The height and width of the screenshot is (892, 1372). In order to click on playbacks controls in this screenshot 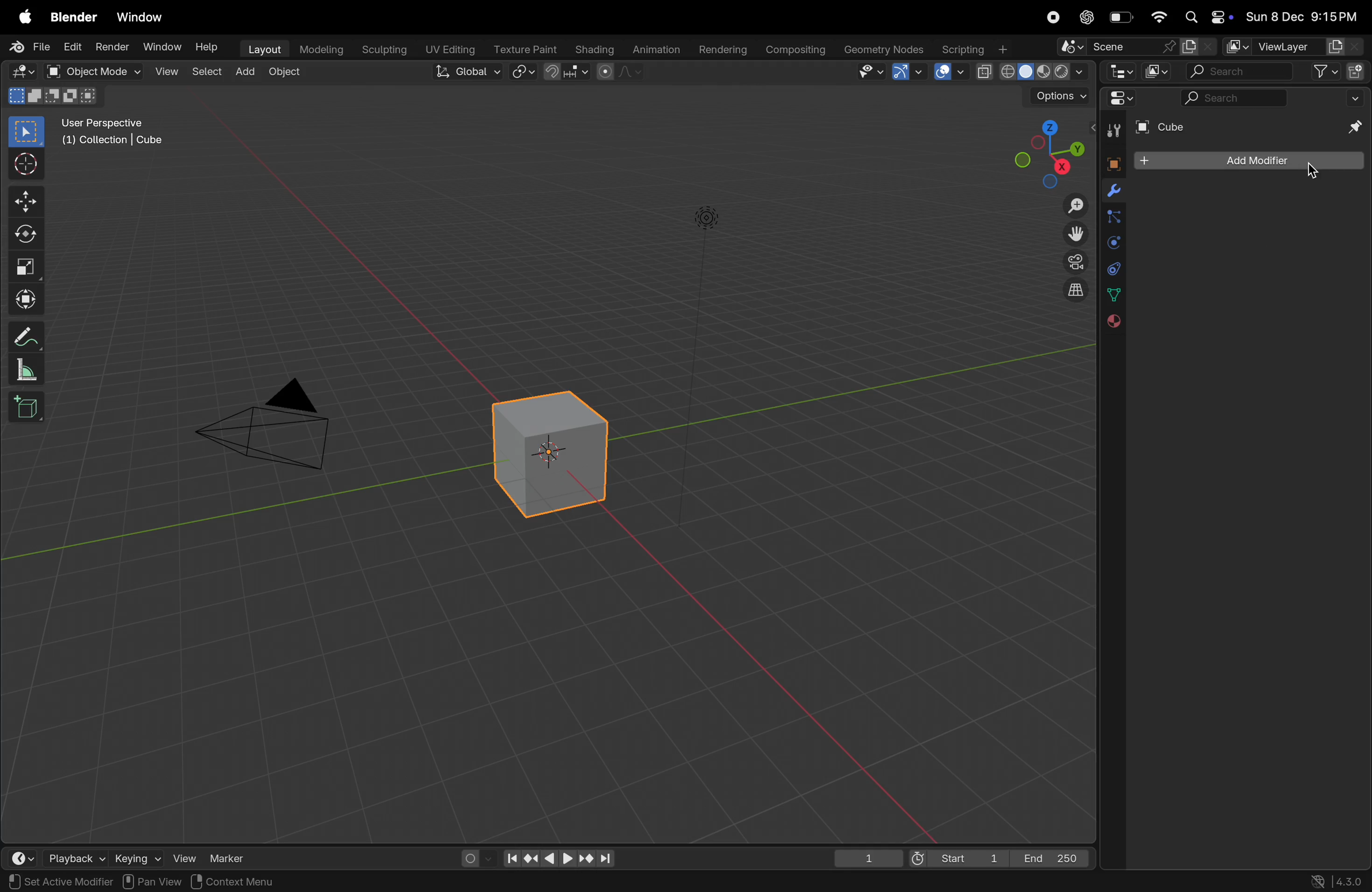, I will do `click(559, 859)`.